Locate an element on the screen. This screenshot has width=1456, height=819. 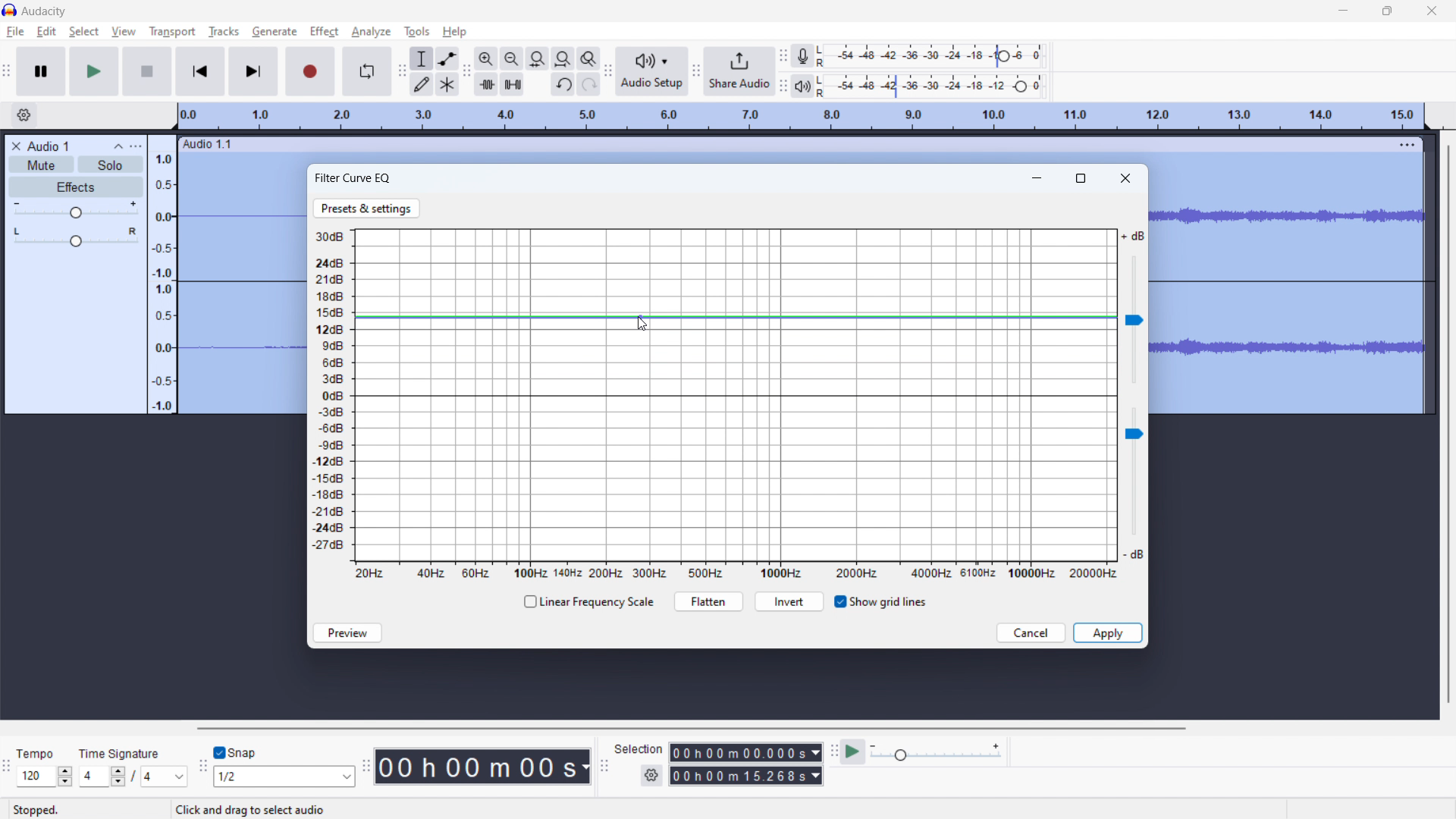
show grid lines toggle is located at coordinates (880, 602).